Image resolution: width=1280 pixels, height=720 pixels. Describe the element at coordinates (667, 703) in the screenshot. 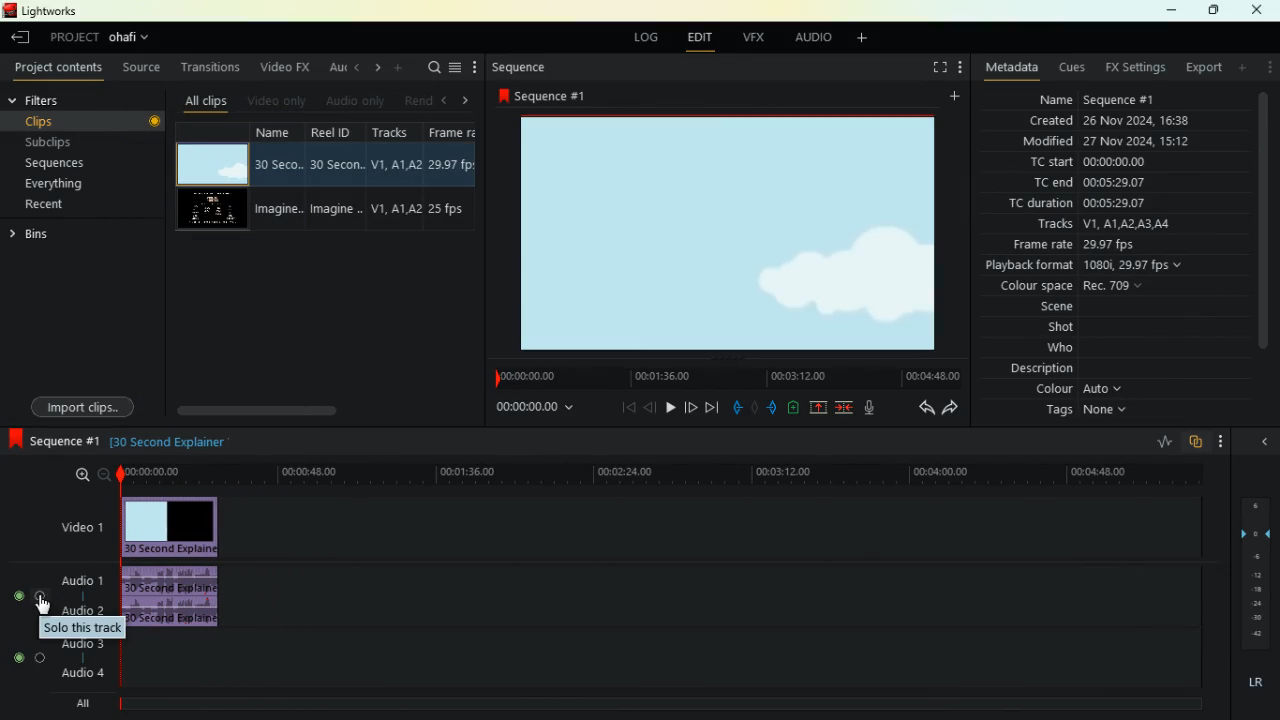

I see `ALL timeline track` at that location.